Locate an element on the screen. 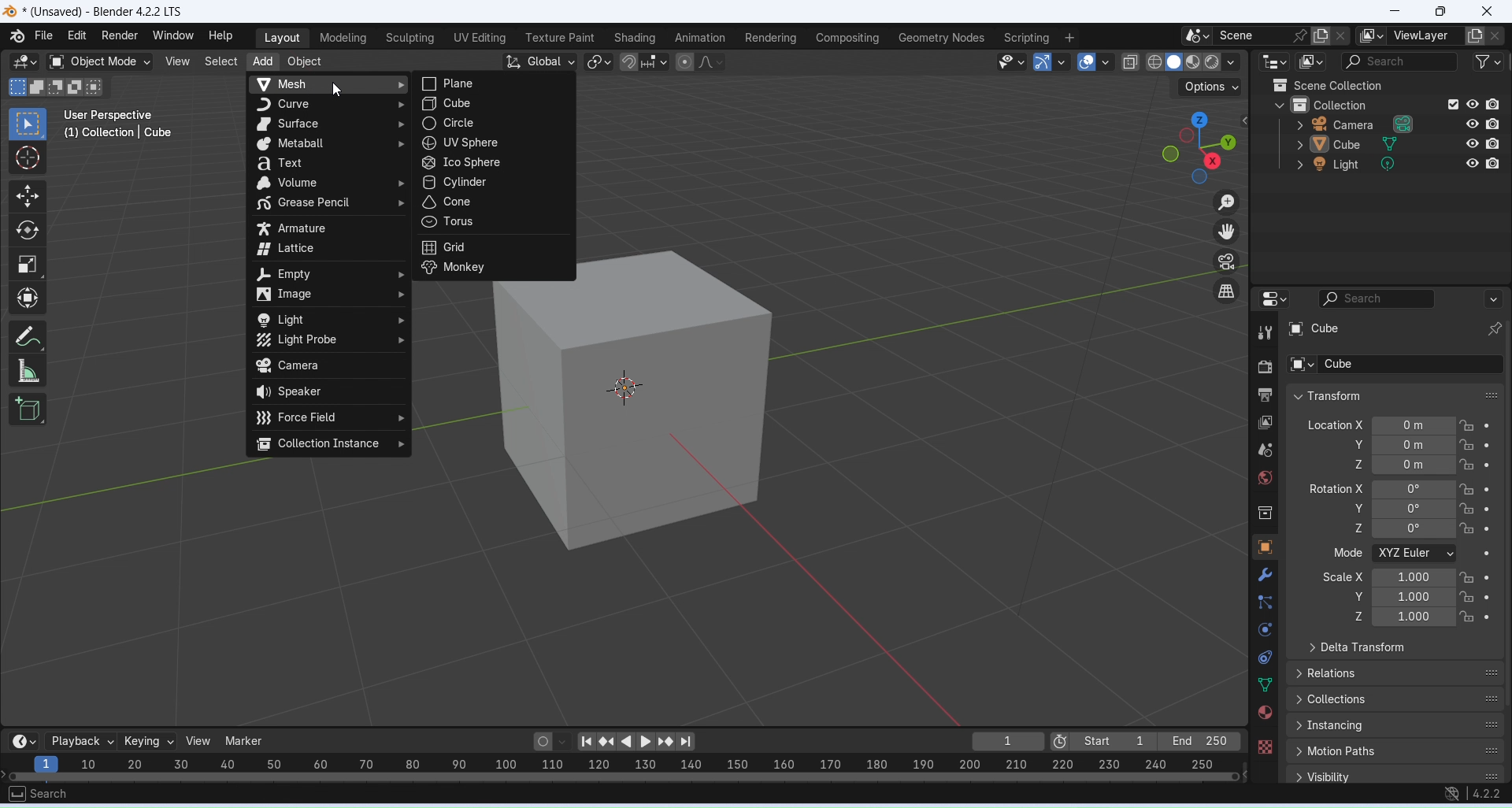  force field is located at coordinates (330, 417).